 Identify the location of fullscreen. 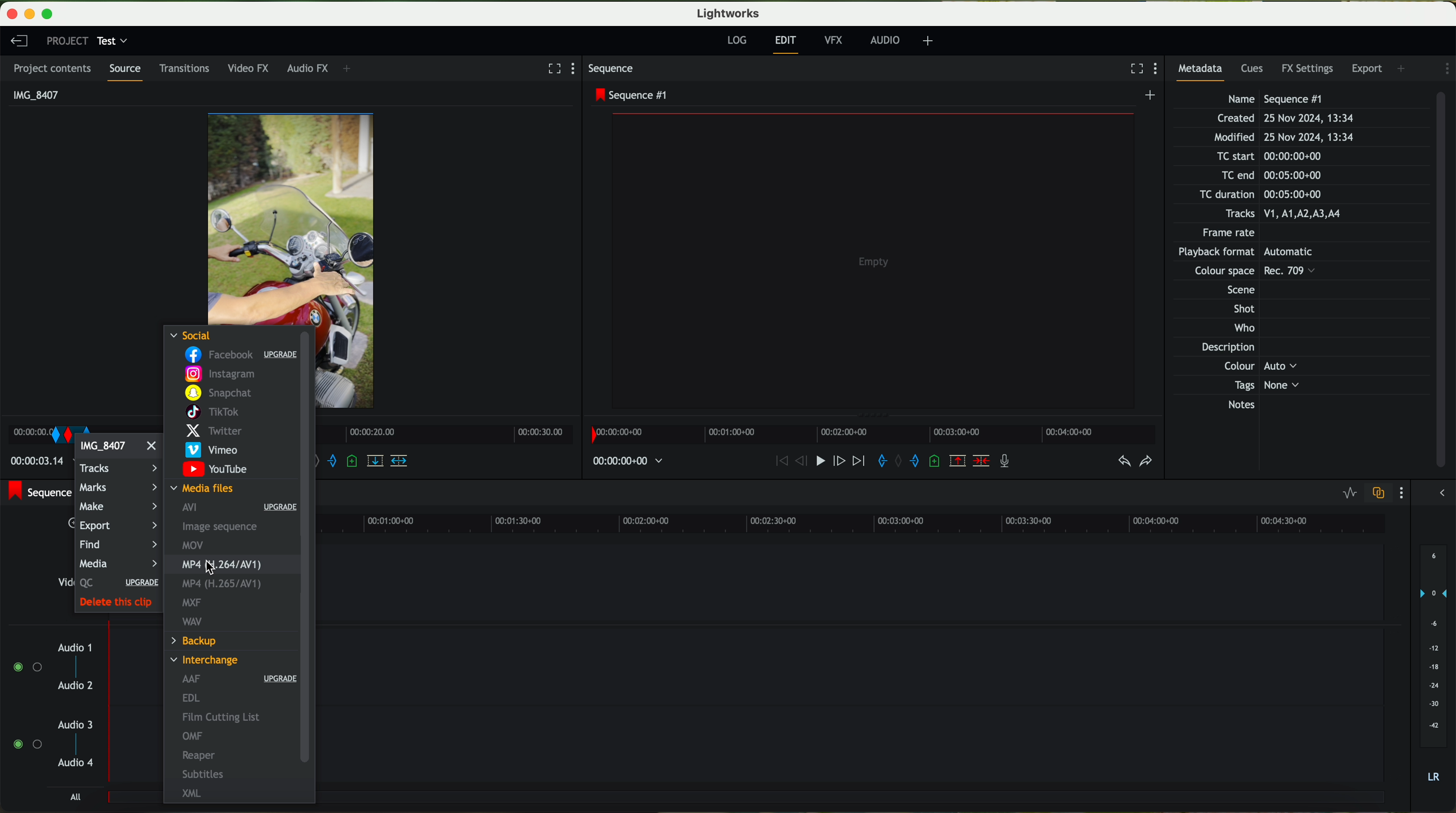
(1132, 68).